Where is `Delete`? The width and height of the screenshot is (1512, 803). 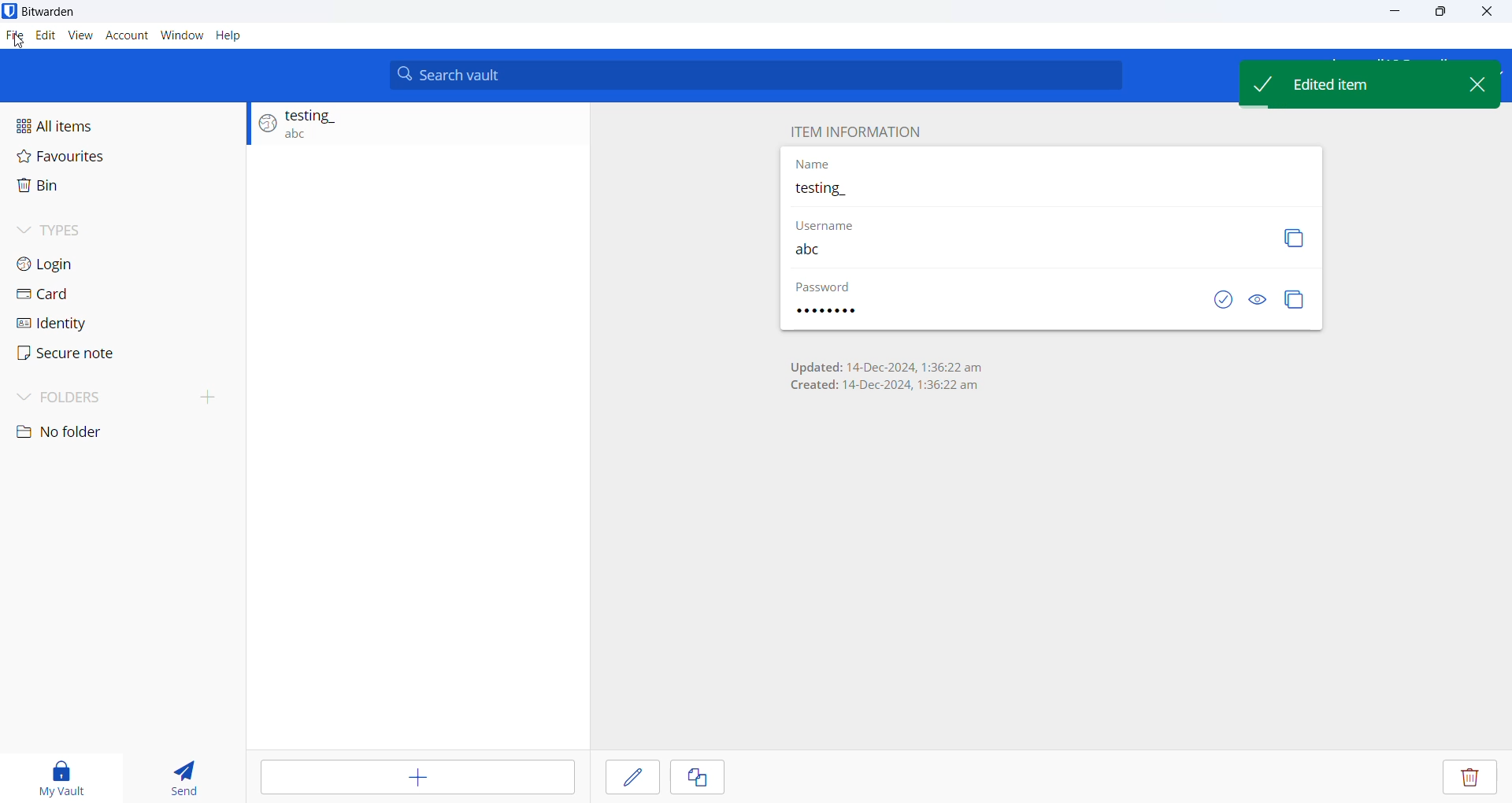
Delete is located at coordinates (1469, 779).